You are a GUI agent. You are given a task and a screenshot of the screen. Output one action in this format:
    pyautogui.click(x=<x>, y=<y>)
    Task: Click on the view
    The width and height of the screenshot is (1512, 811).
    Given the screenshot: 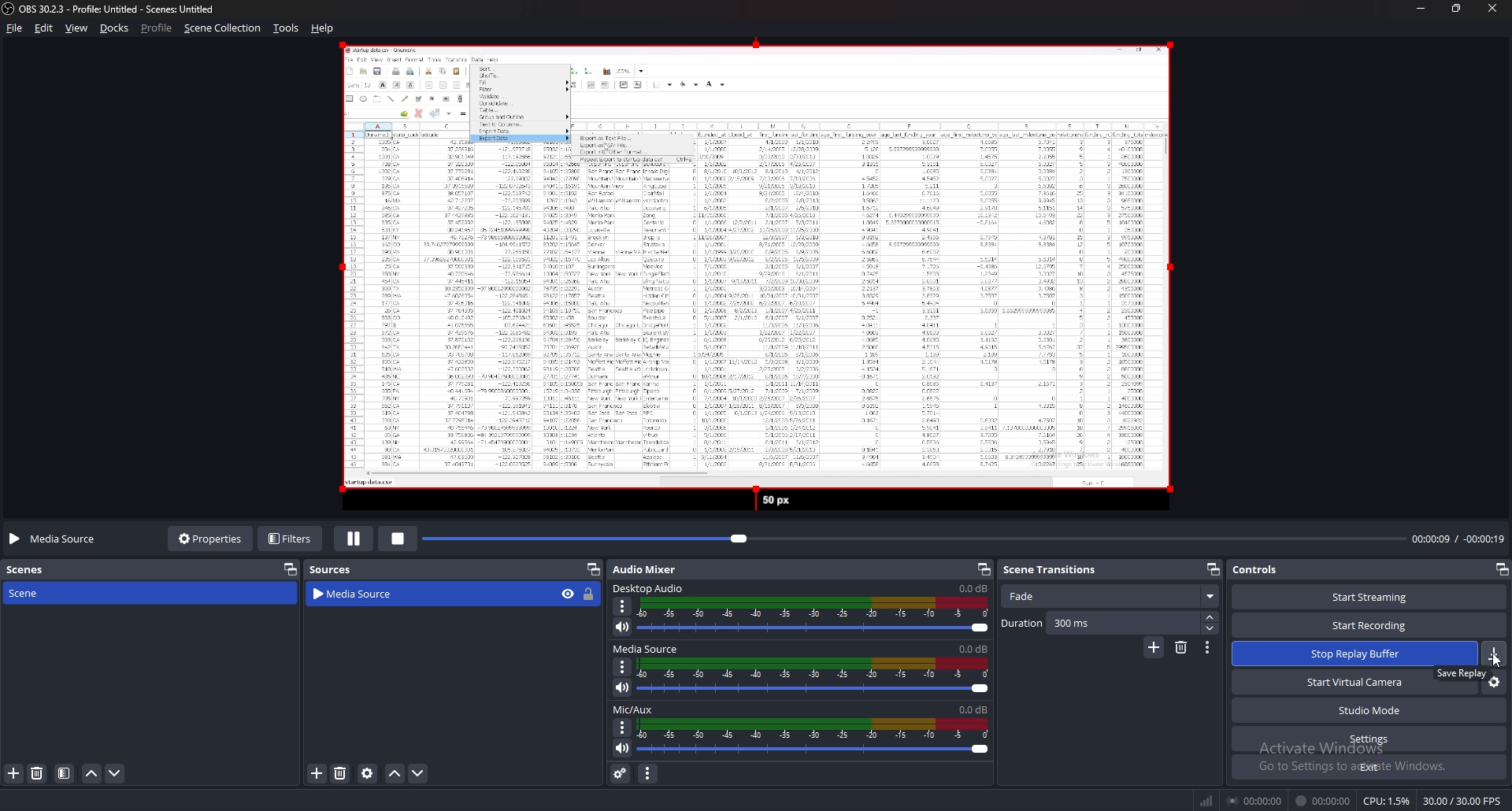 What is the action you would take?
    pyautogui.click(x=77, y=28)
    